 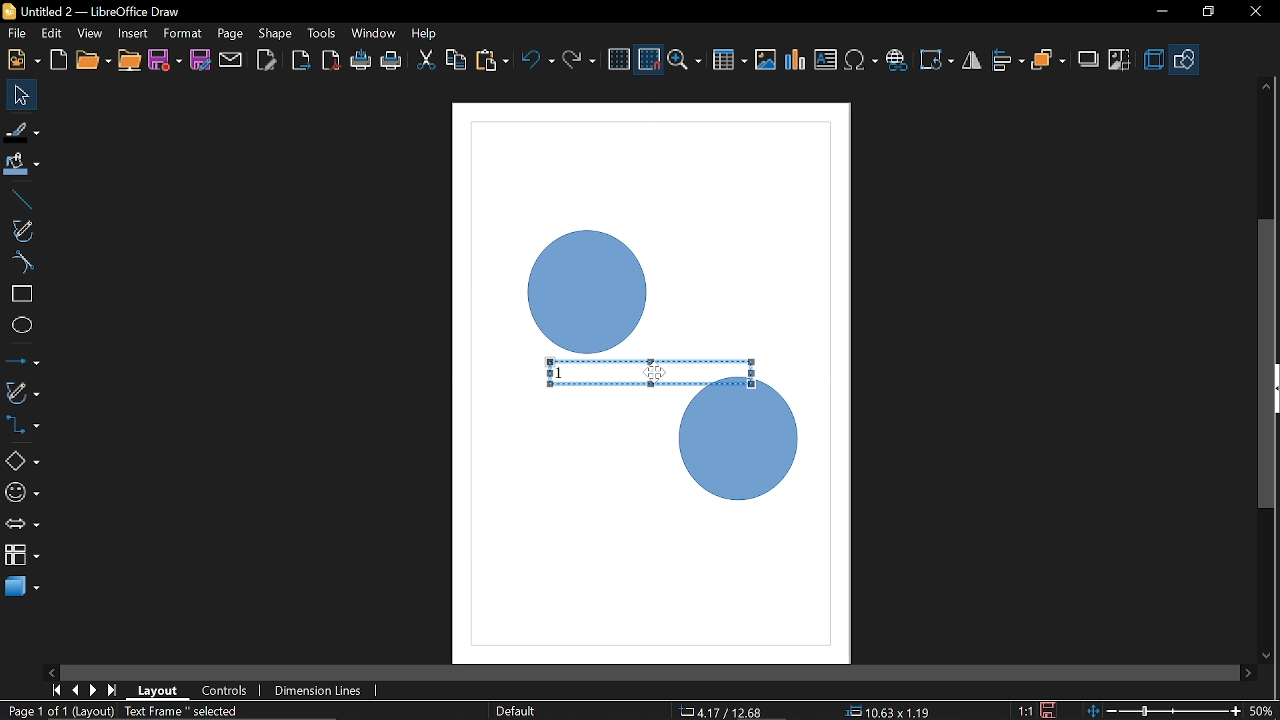 What do you see at coordinates (94, 690) in the screenshot?
I see `Next page` at bounding box center [94, 690].